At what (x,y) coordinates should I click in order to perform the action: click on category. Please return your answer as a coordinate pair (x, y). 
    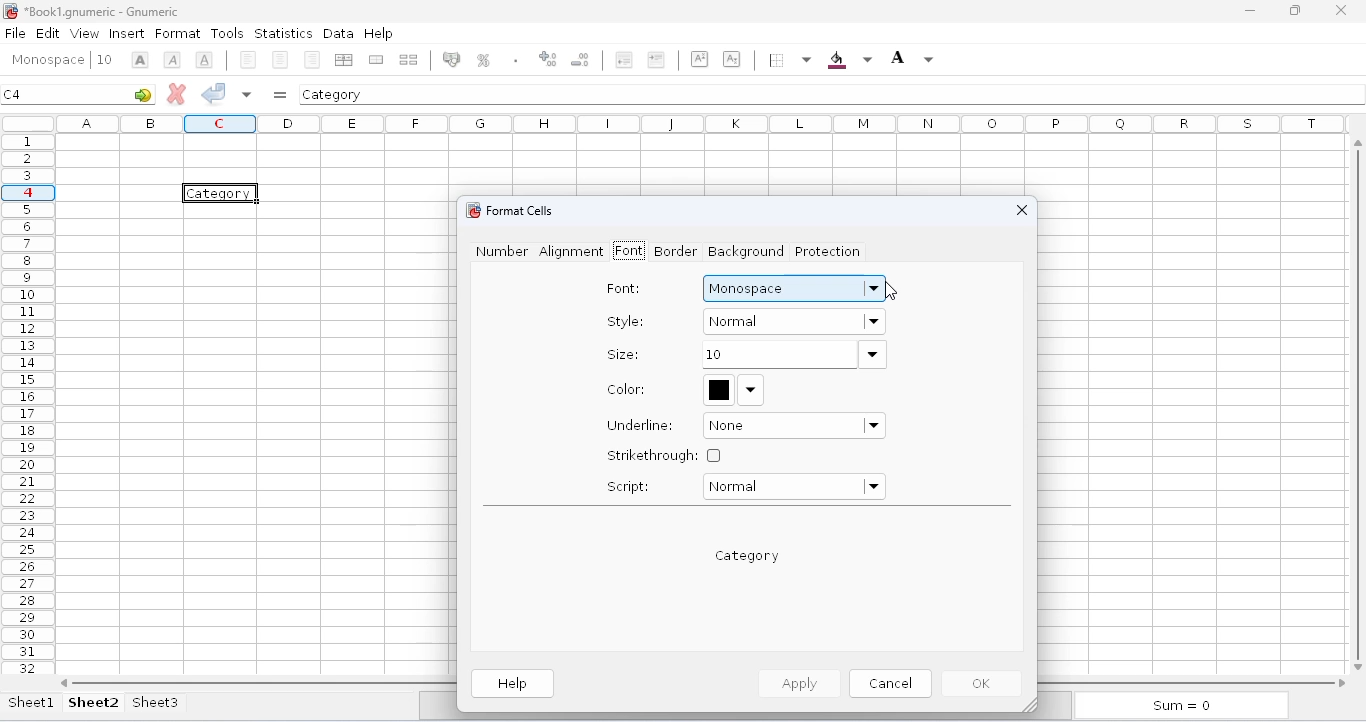
    Looking at the image, I should click on (333, 94).